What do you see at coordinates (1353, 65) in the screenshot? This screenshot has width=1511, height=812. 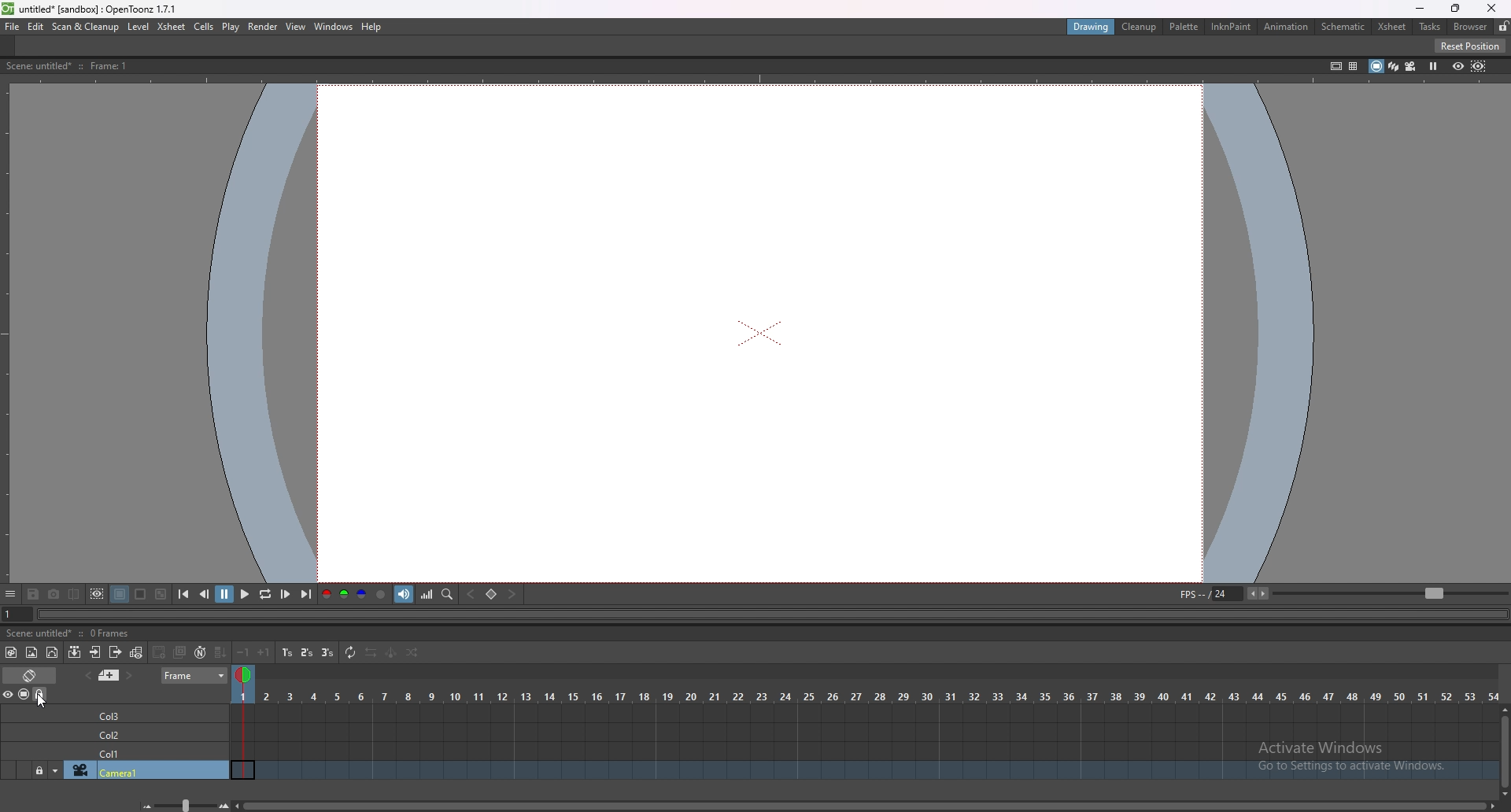 I see `field guide` at bounding box center [1353, 65].